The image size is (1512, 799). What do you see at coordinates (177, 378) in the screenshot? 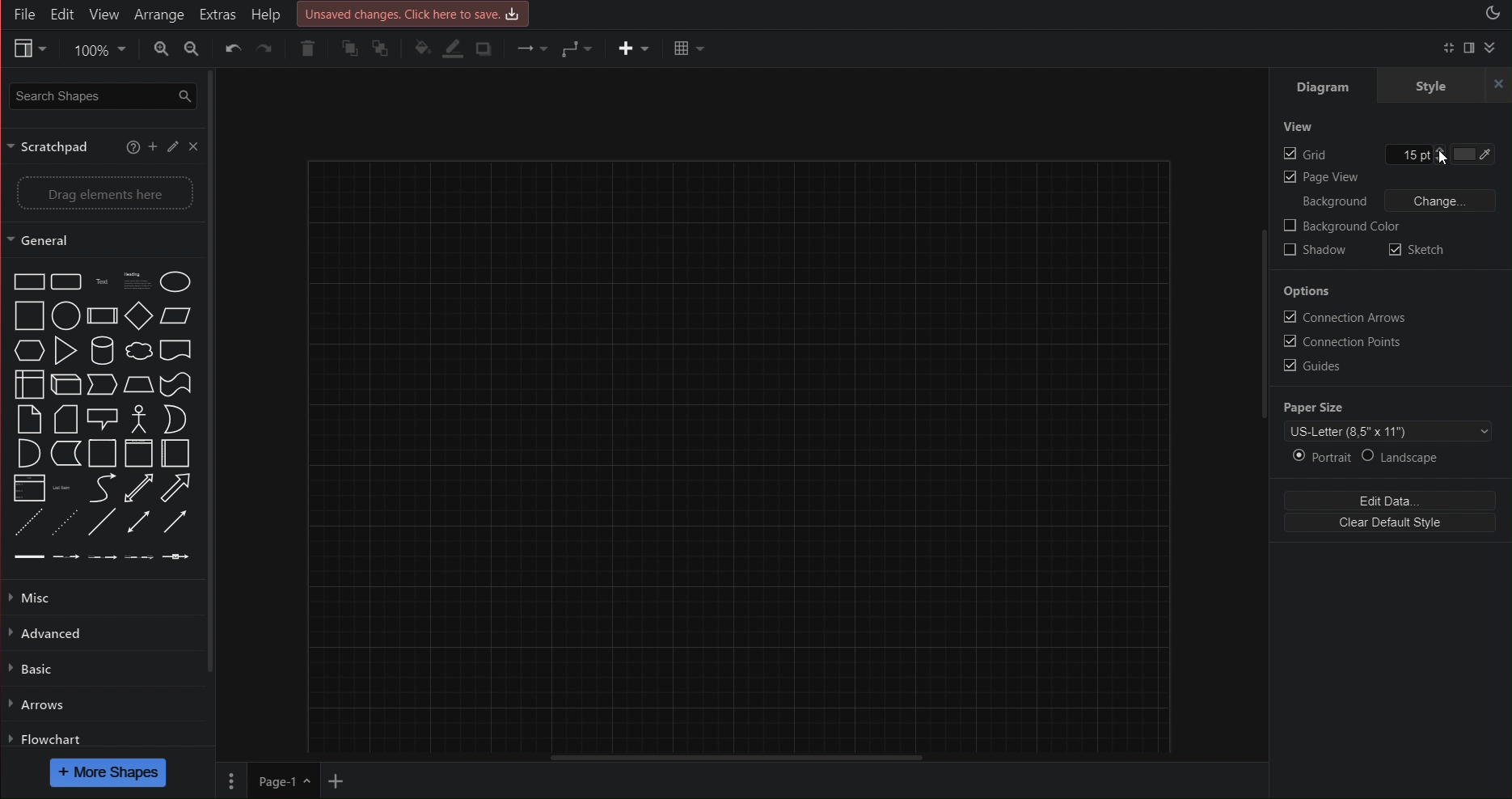
I see `` at bounding box center [177, 378].